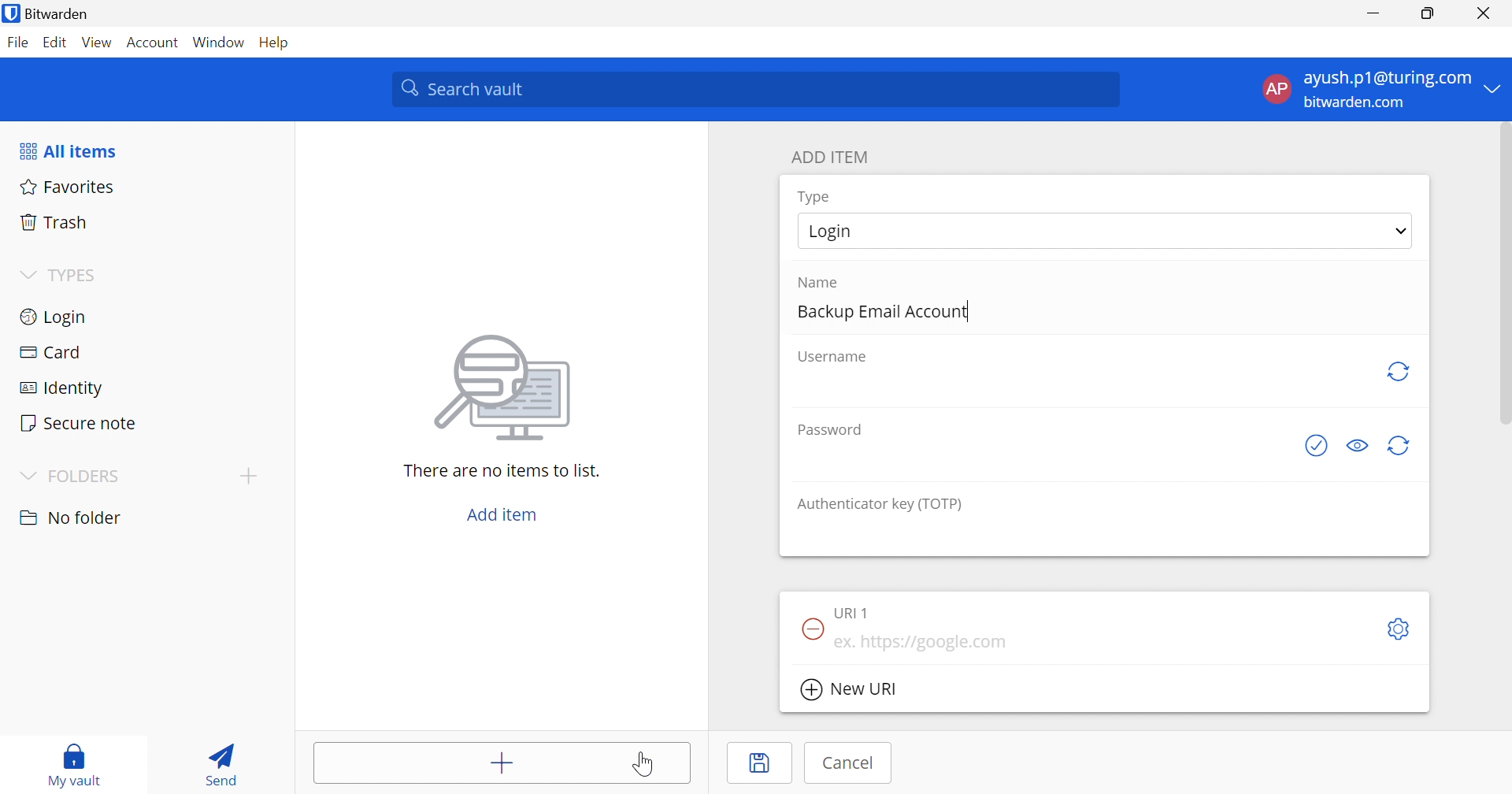  Describe the element at coordinates (72, 475) in the screenshot. I see `FOLDERS` at that location.